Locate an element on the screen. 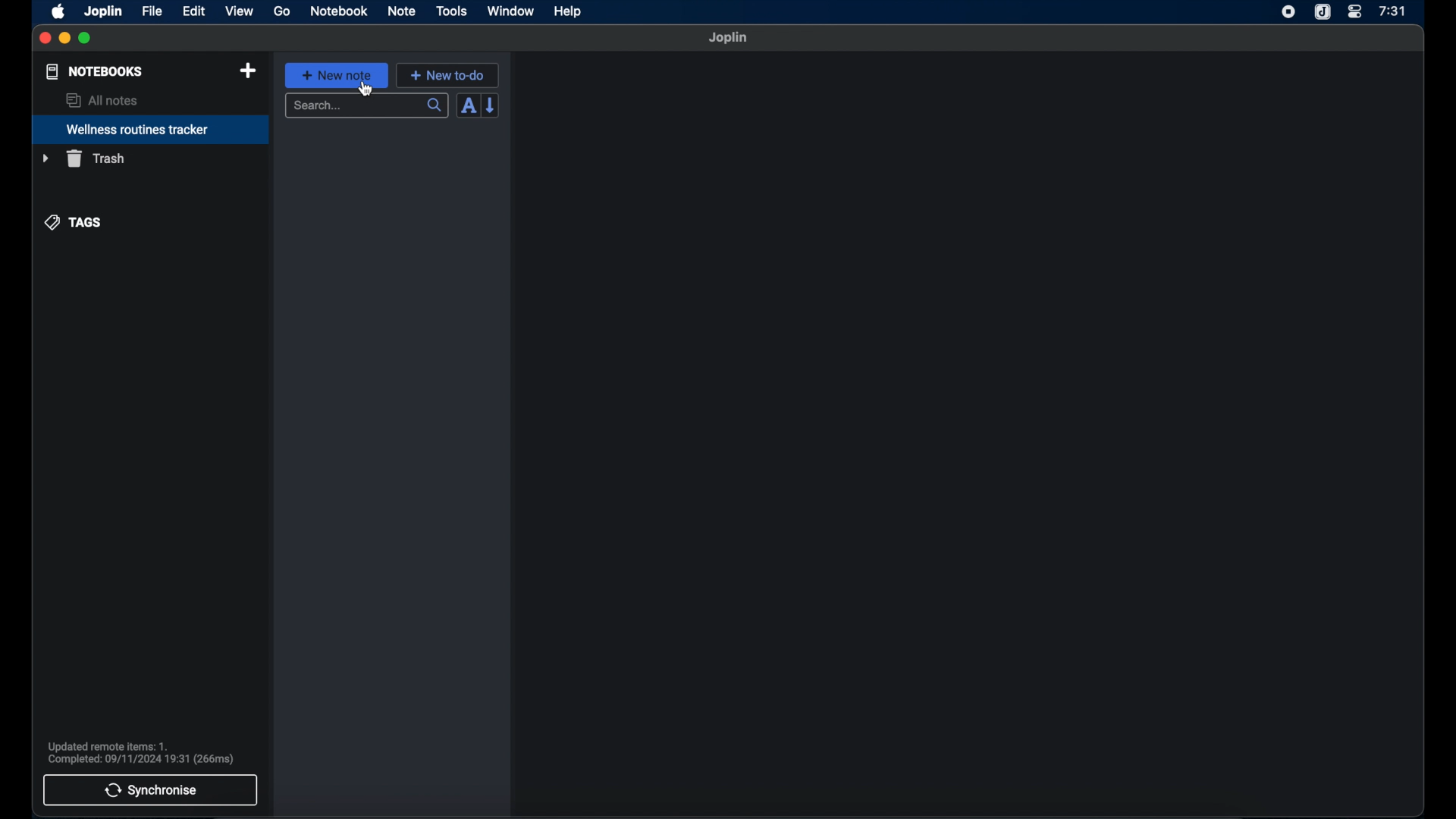  view is located at coordinates (239, 11).